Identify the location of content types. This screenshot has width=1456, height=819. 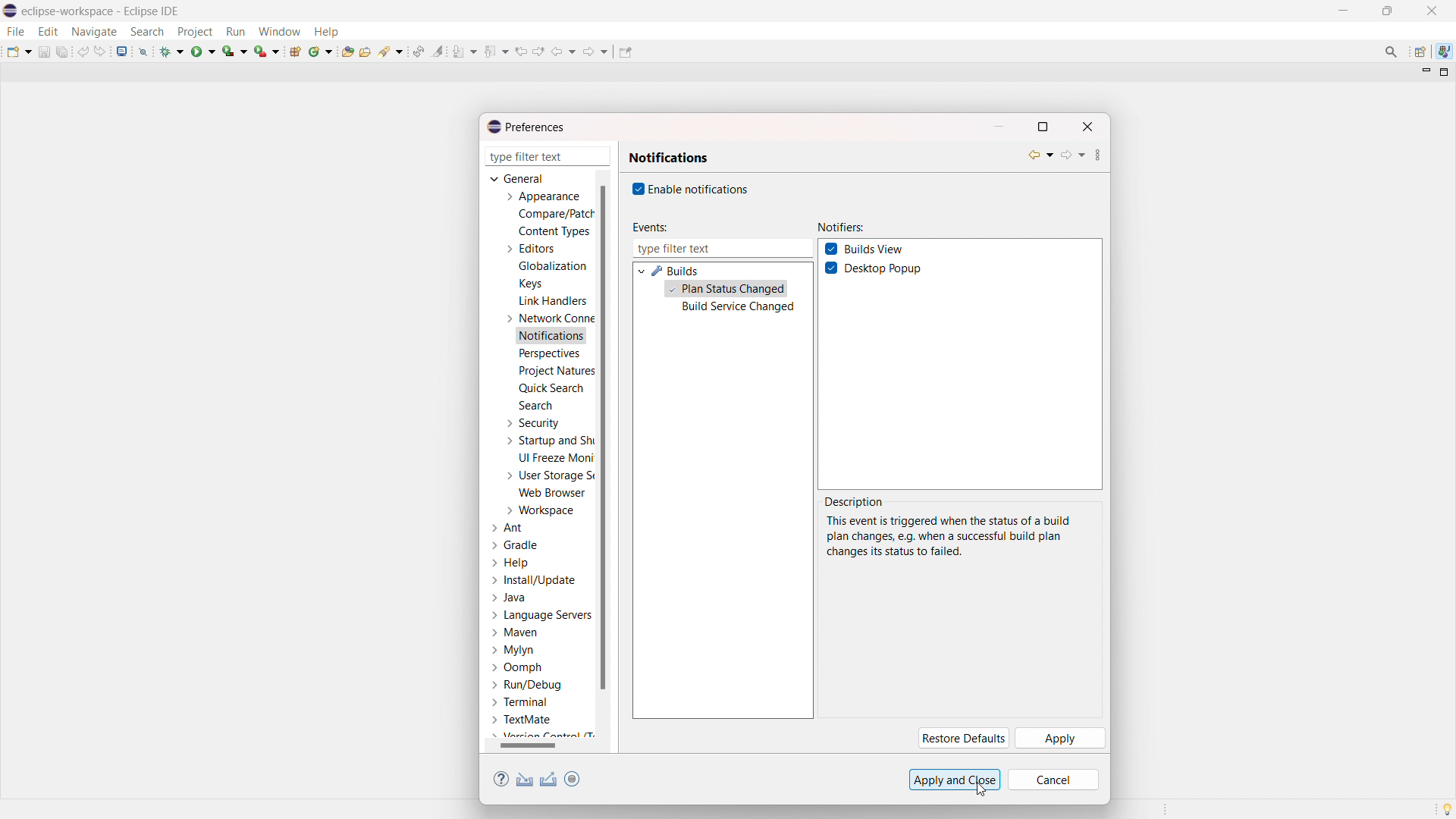
(555, 231).